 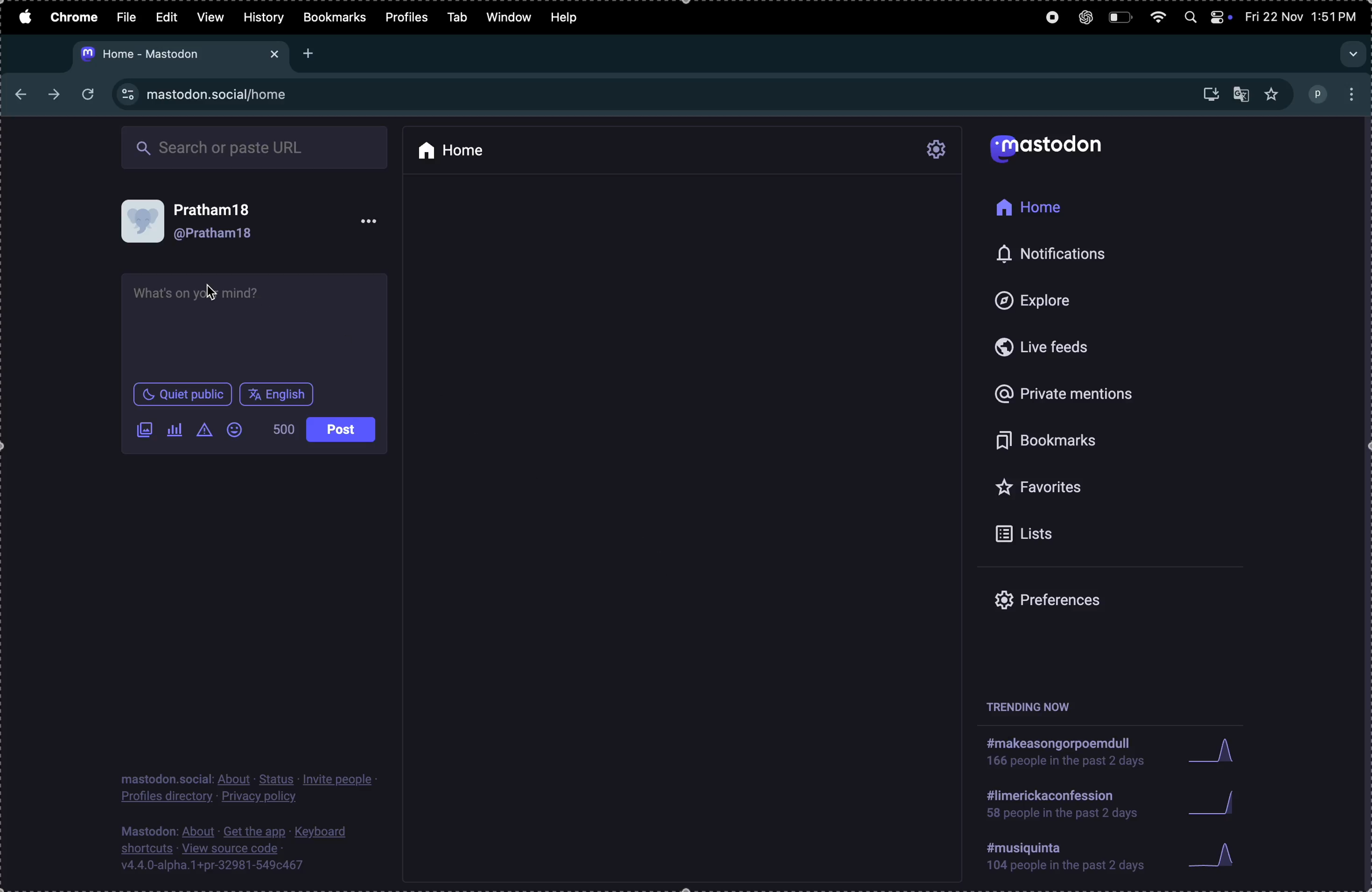 What do you see at coordinates (1301, 16) in the screenshot?
I see `date and time` at bounding box center [1301, 16].